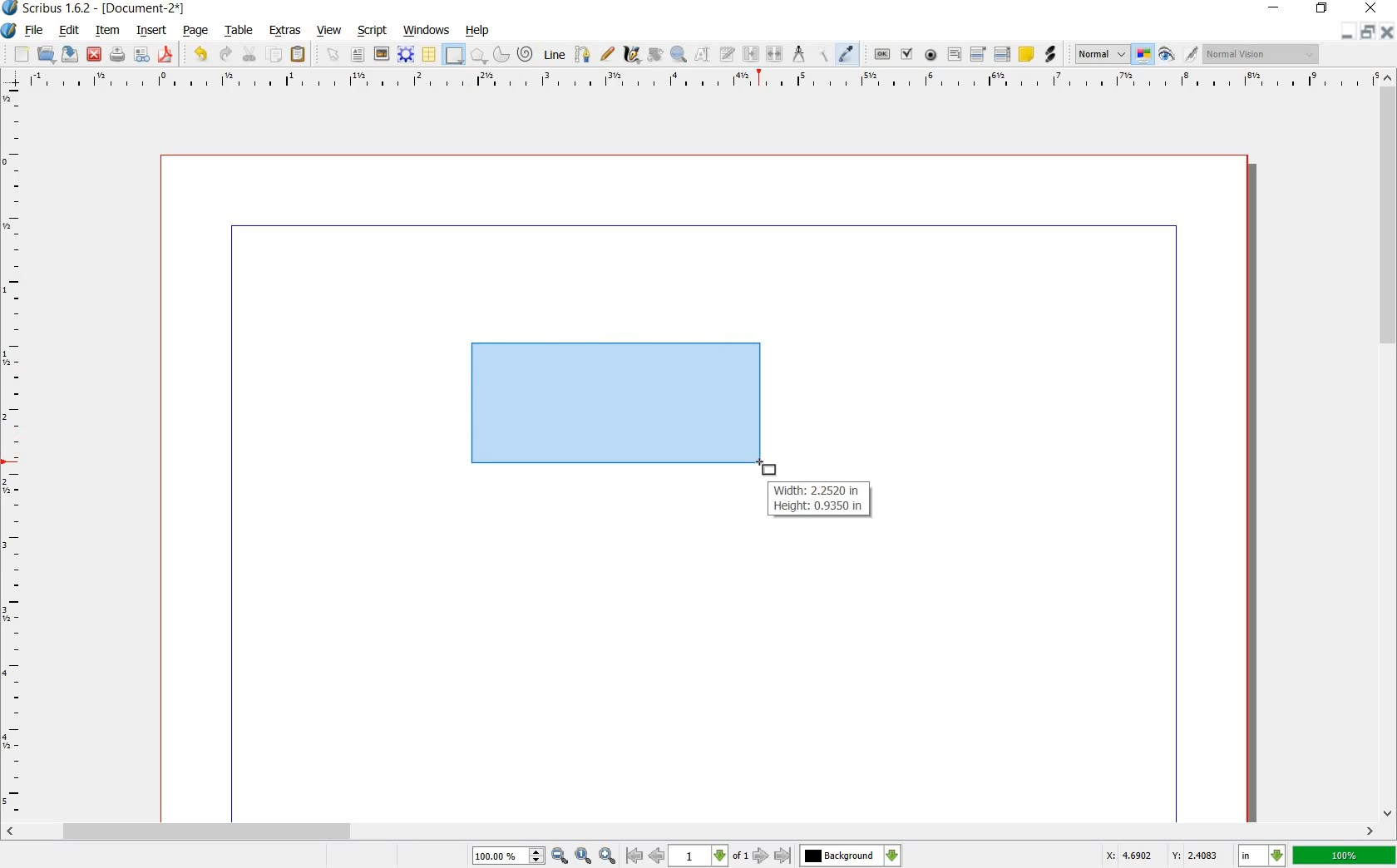 The image size is (1397, 868). I want to click on UNDO, so click(198, 55).